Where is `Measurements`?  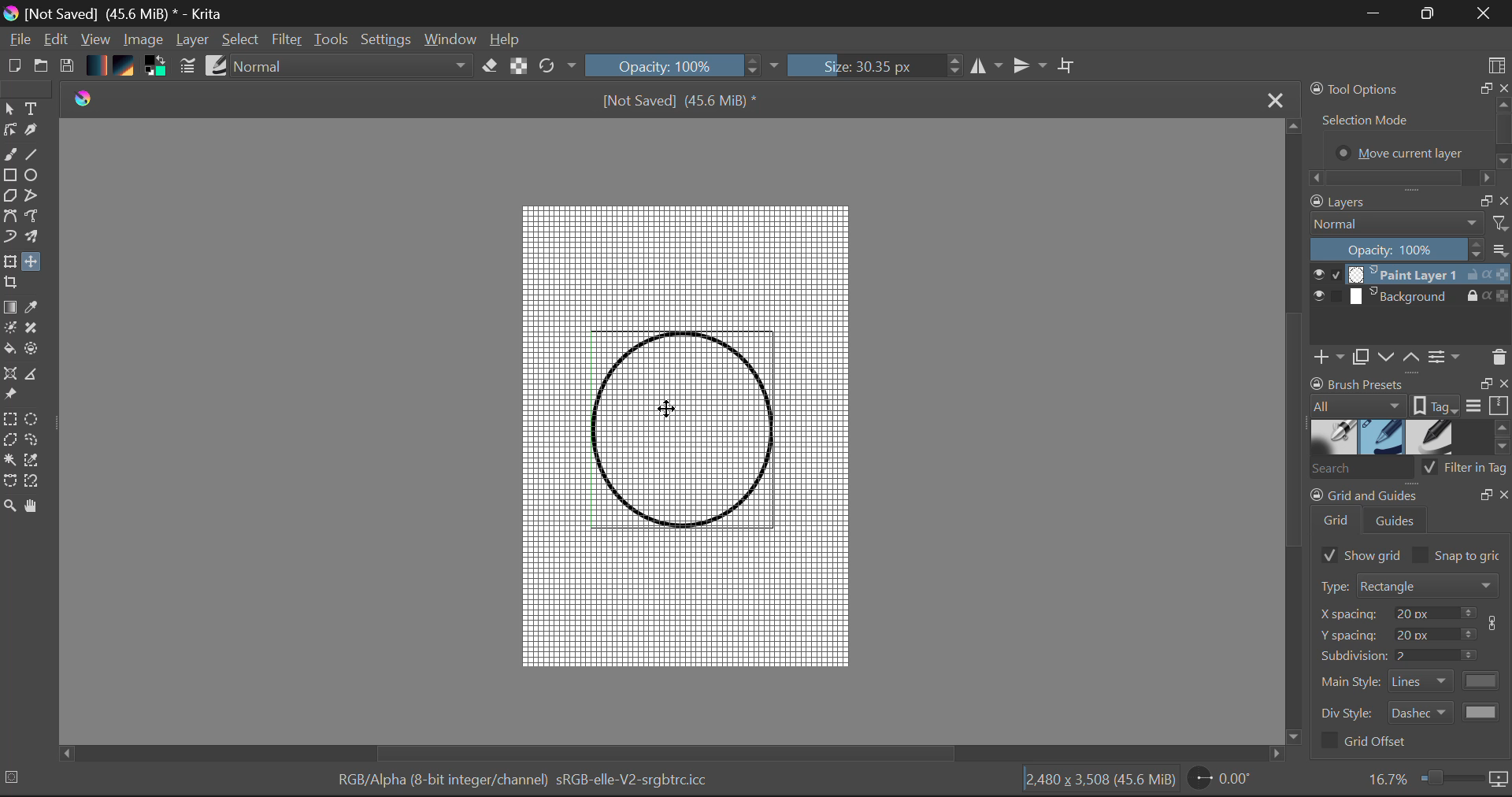 Measurements is located at coordinates (37, 375).